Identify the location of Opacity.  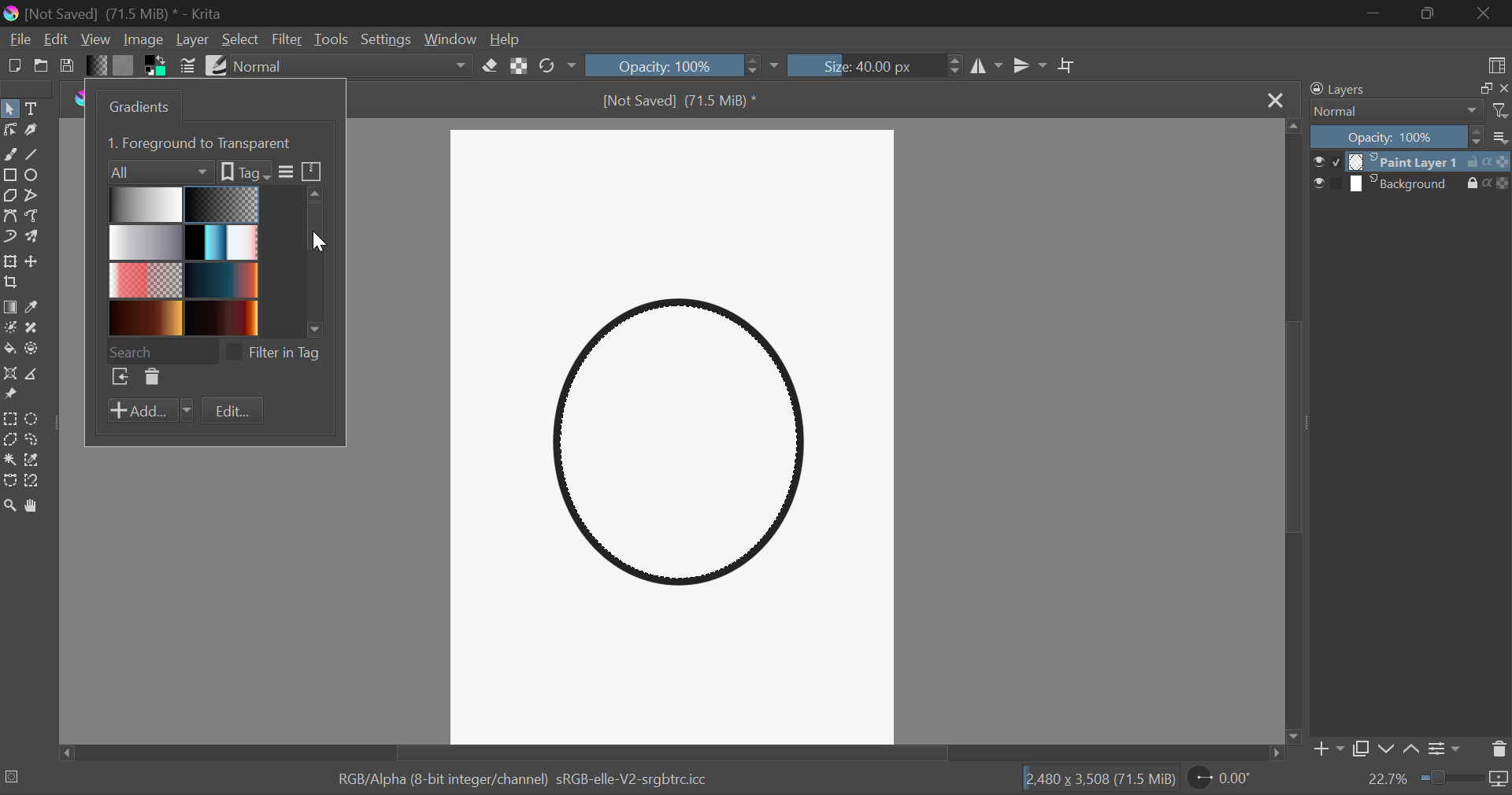
(1395, 138).